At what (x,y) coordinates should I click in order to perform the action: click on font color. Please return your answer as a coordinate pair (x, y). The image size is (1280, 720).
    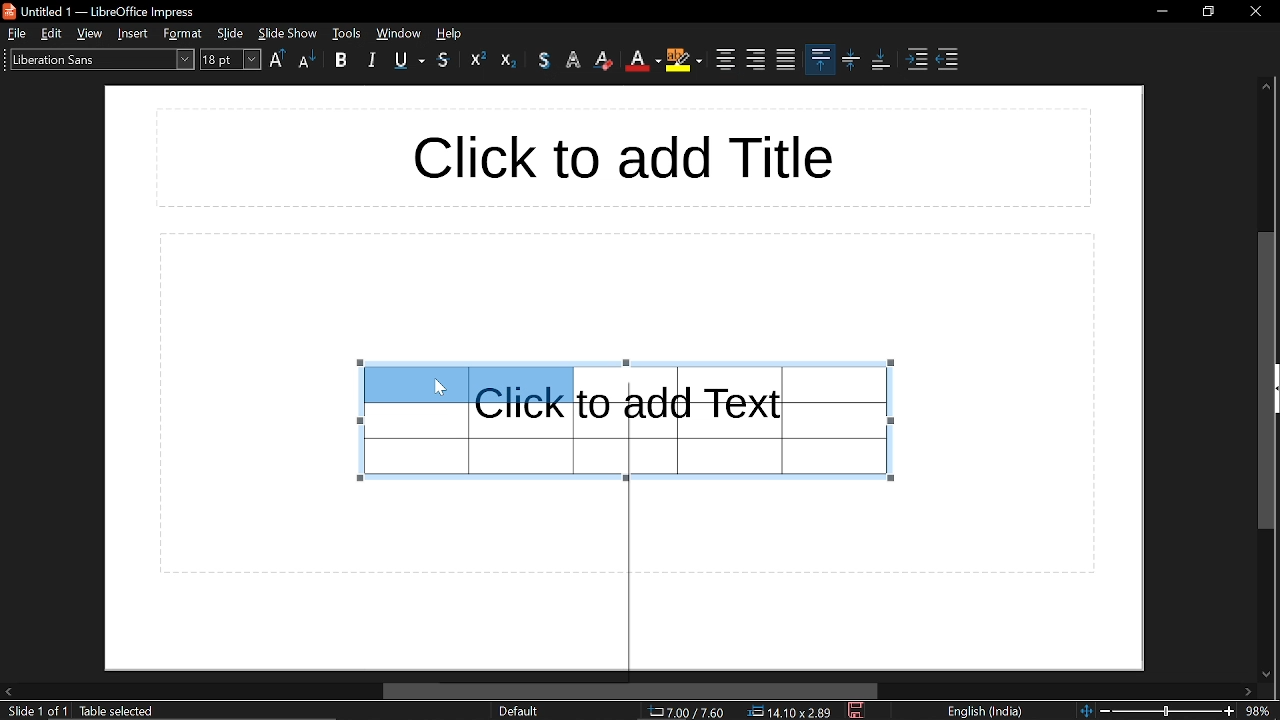
    Looking at the image, I should click on (642, 61).